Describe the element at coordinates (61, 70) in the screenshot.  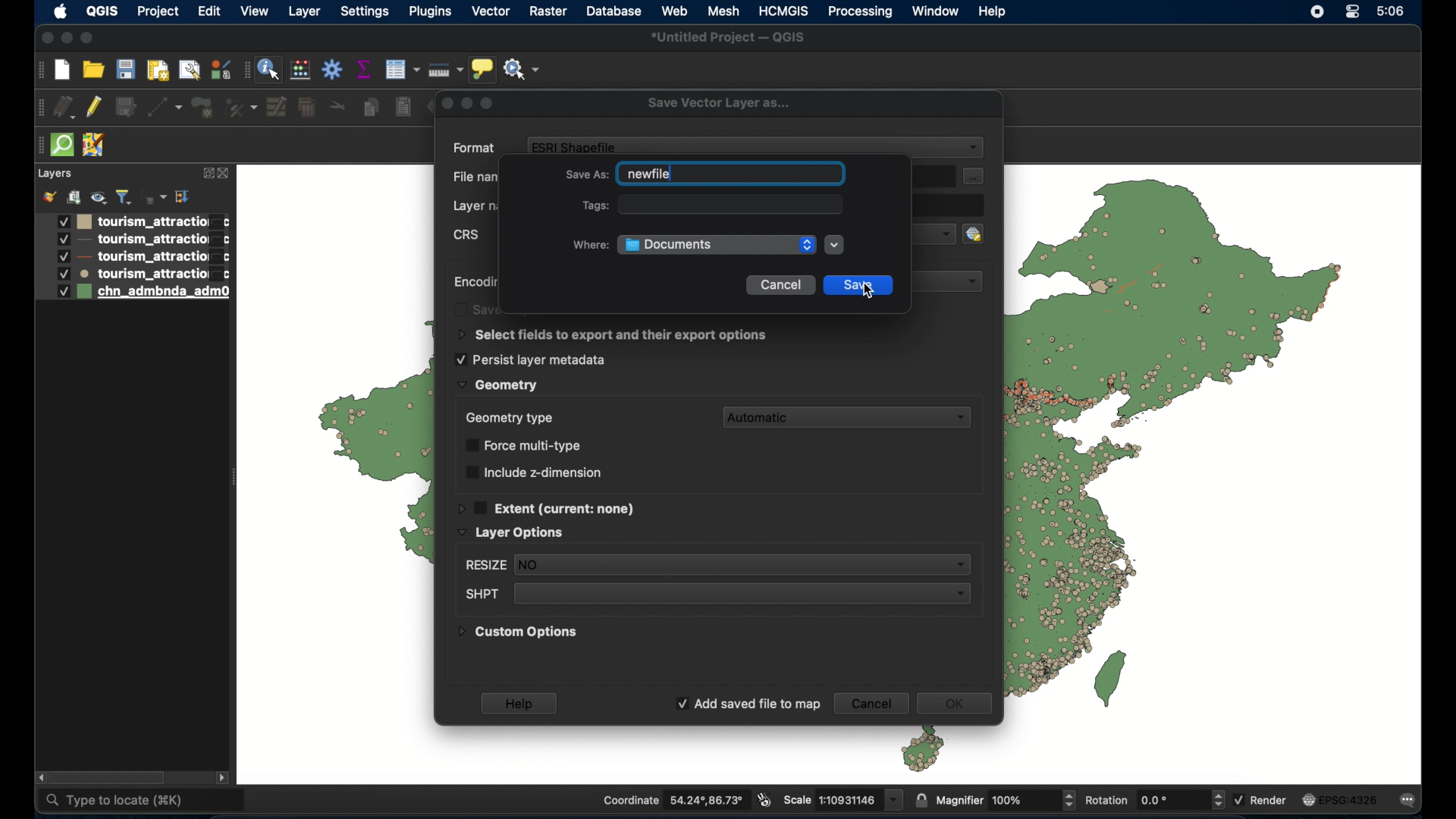
I see `new project` at that location.